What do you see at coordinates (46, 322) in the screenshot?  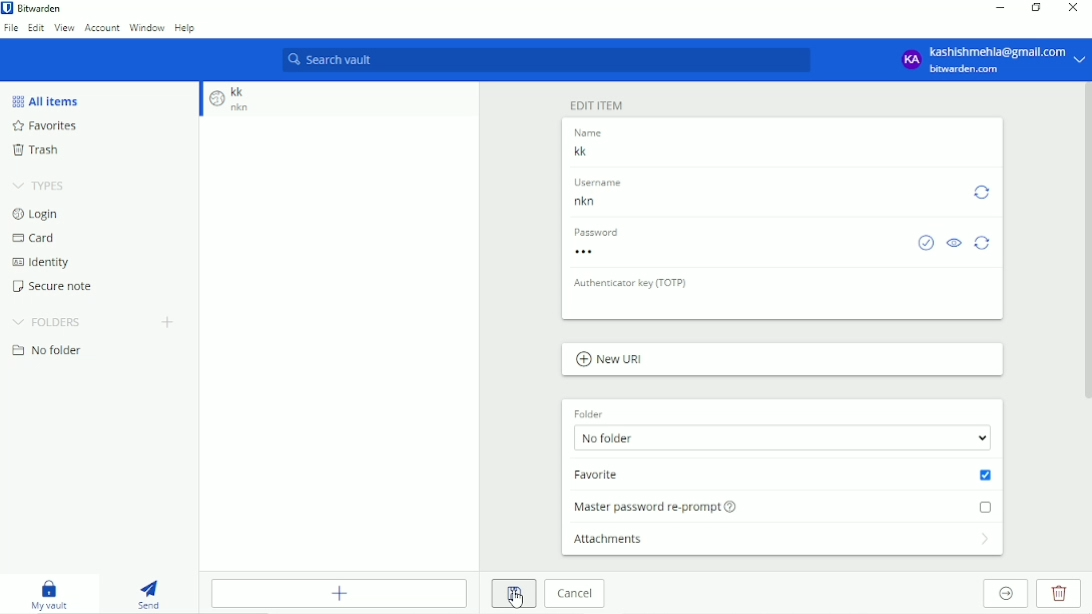 I see `Folders` at bounding box center [46, 322].